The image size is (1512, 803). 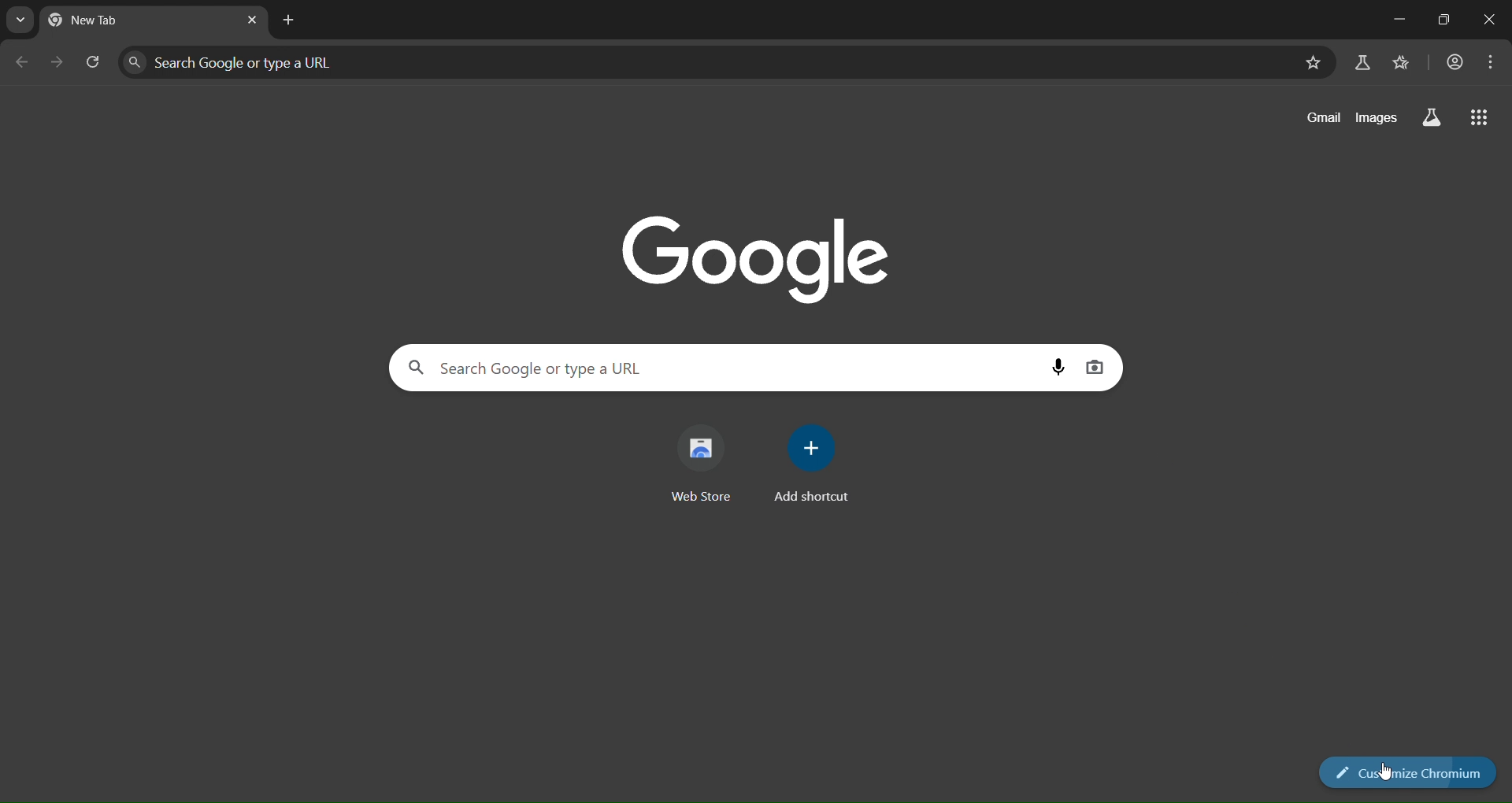 What do you see at coordinates (708, 461) in the screenshot?
I see `web store` at bounding box center [708, 461].